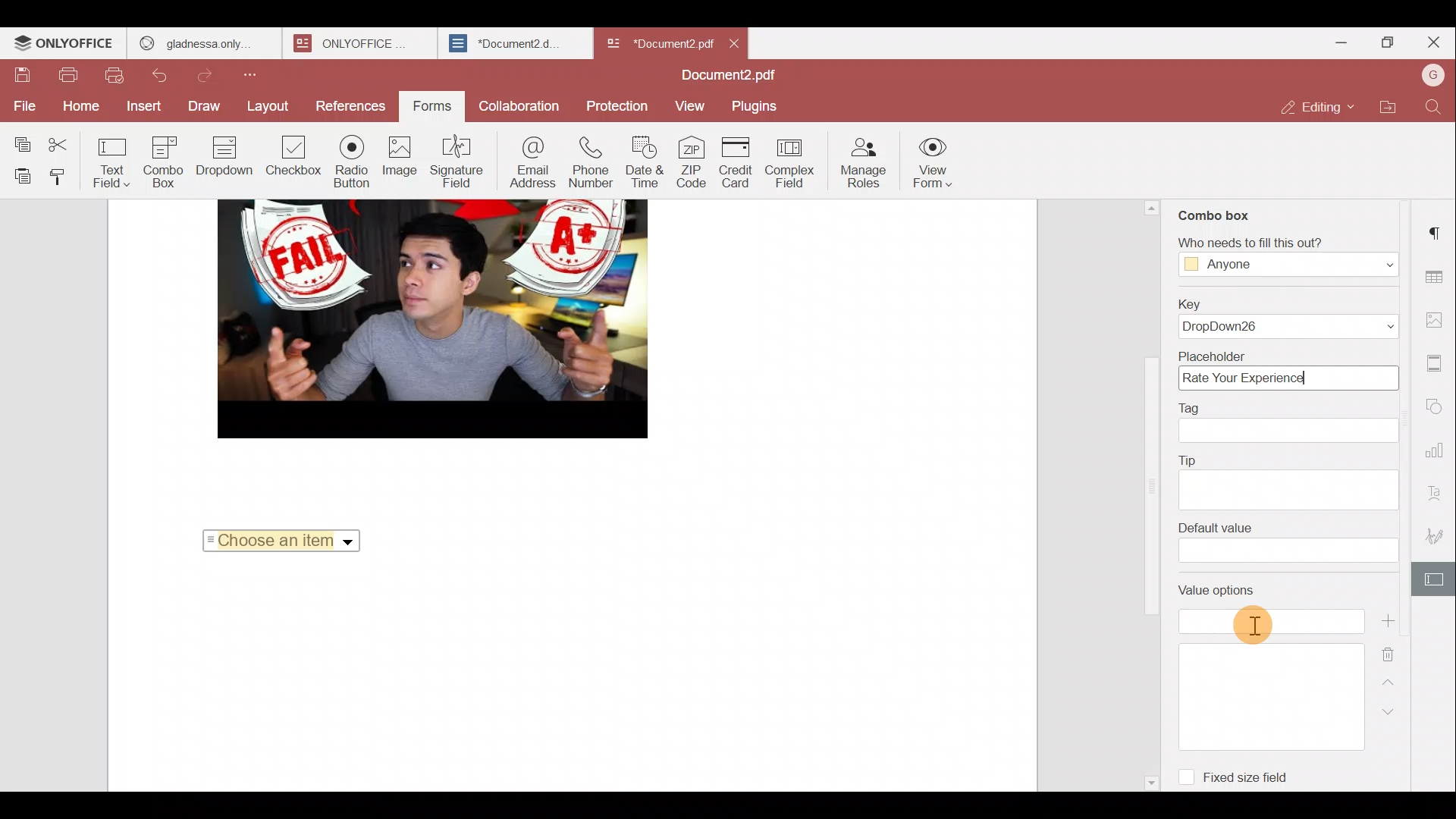 This screenshot has width=1456, height=819. Describe the element at coordinates (1389, 687) in the screenshot. I see `Up` at that location.